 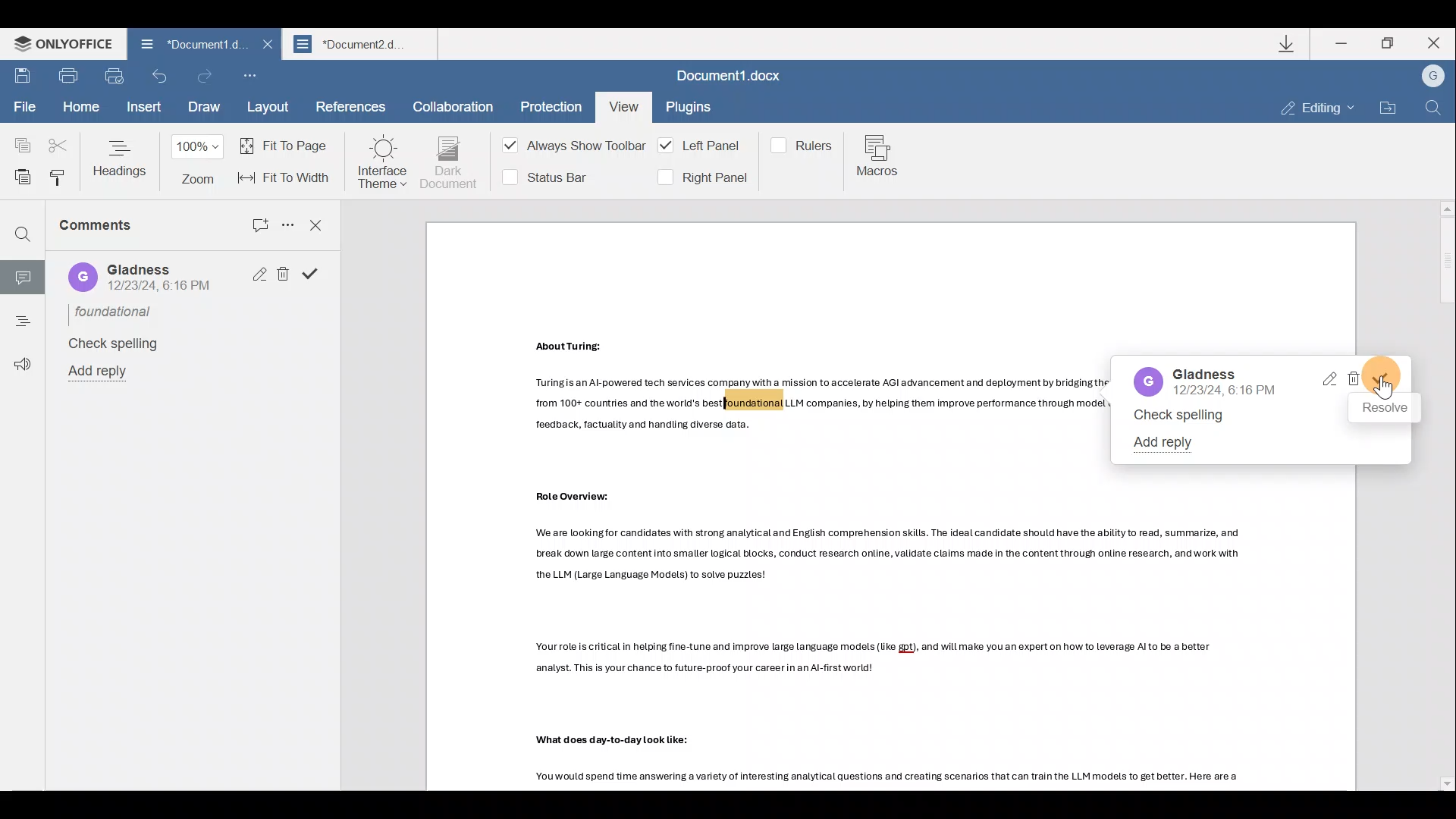 What do you see at coordinates (1354, 380) in the screenshot?
I see `Delete comment` at bounding box center [1354, 380].